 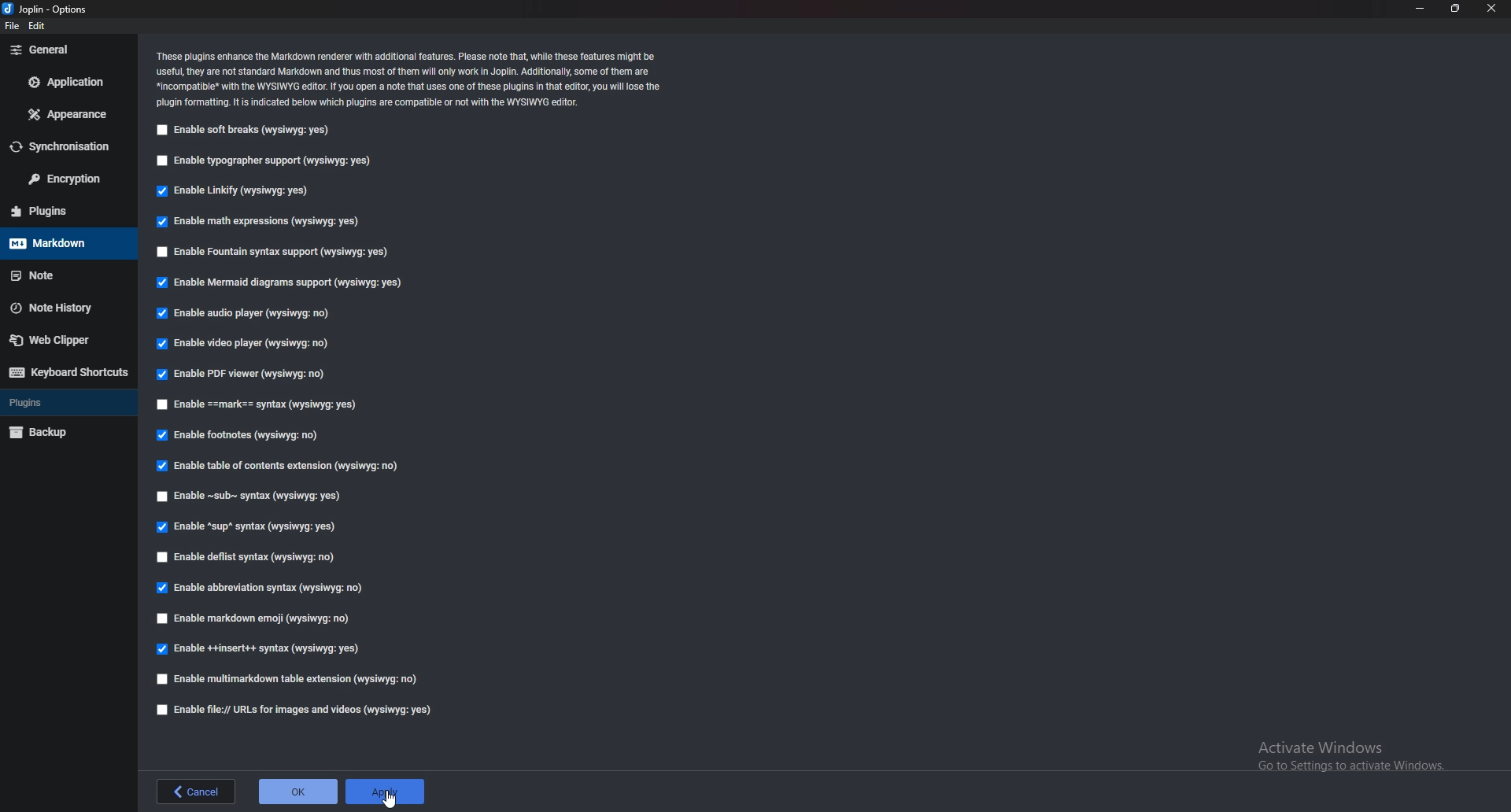 I want to click on Enable footnotes, so click(x=242, y=434).